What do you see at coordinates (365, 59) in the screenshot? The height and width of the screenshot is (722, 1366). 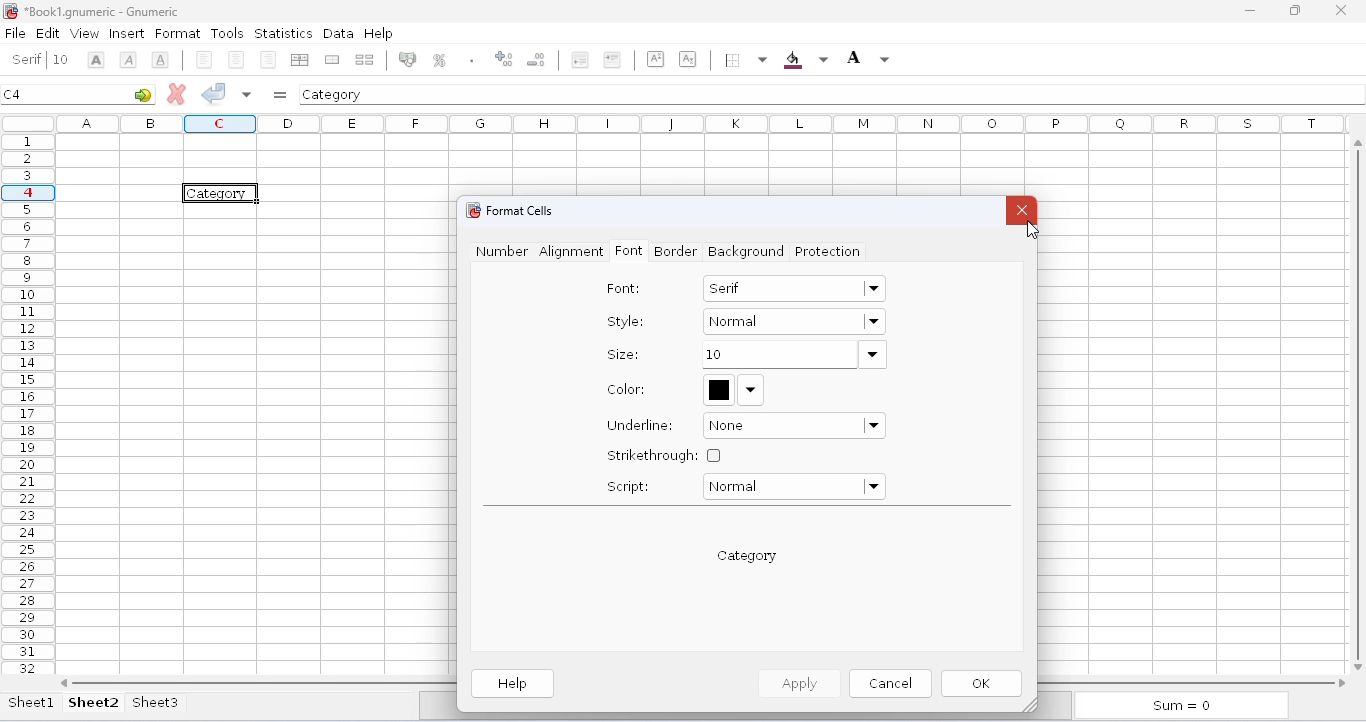 I see `merge a range of cells` at bounding box center [365, 59].